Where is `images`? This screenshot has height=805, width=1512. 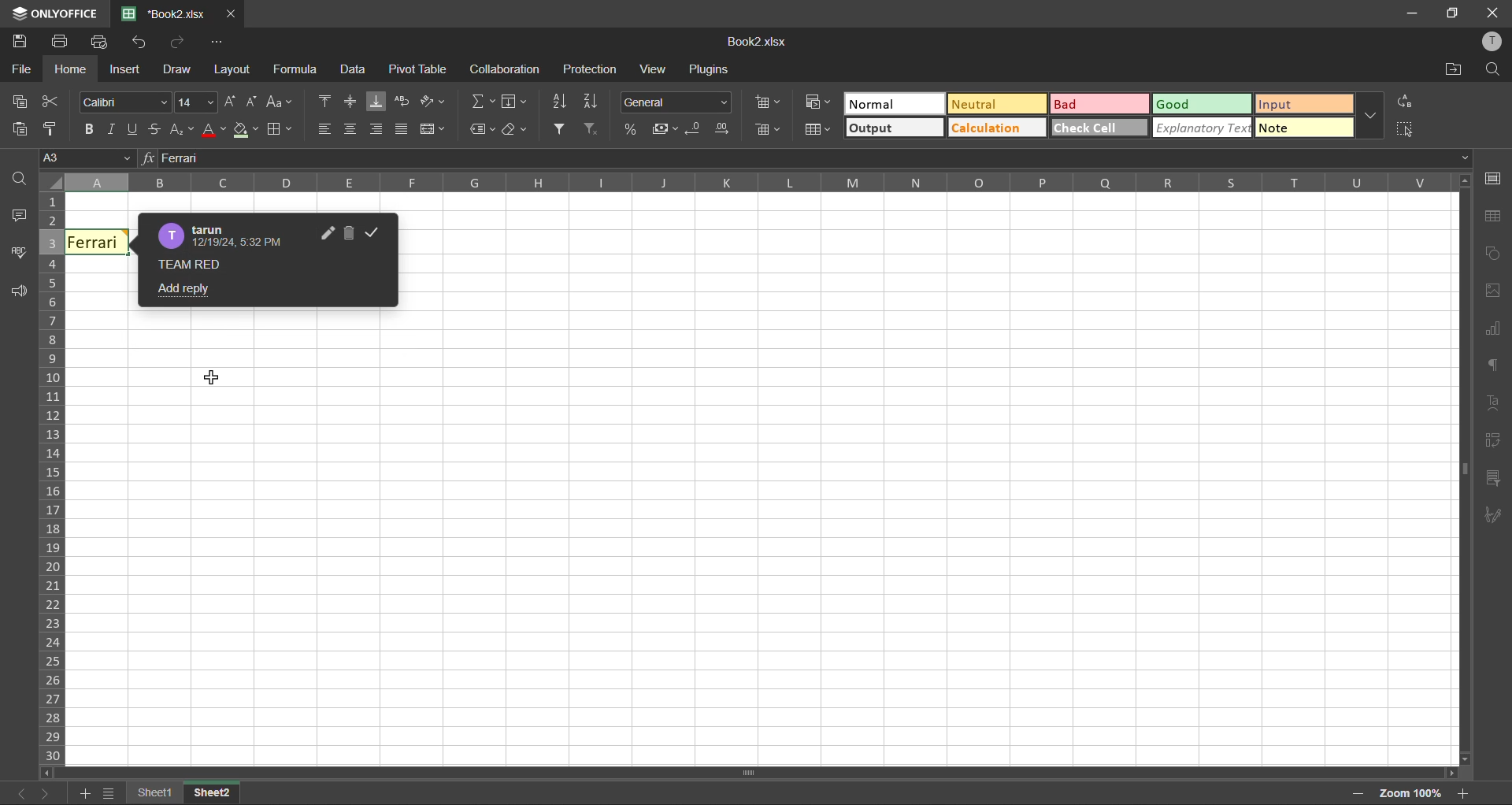 images is located at coordinates (1497, 294).